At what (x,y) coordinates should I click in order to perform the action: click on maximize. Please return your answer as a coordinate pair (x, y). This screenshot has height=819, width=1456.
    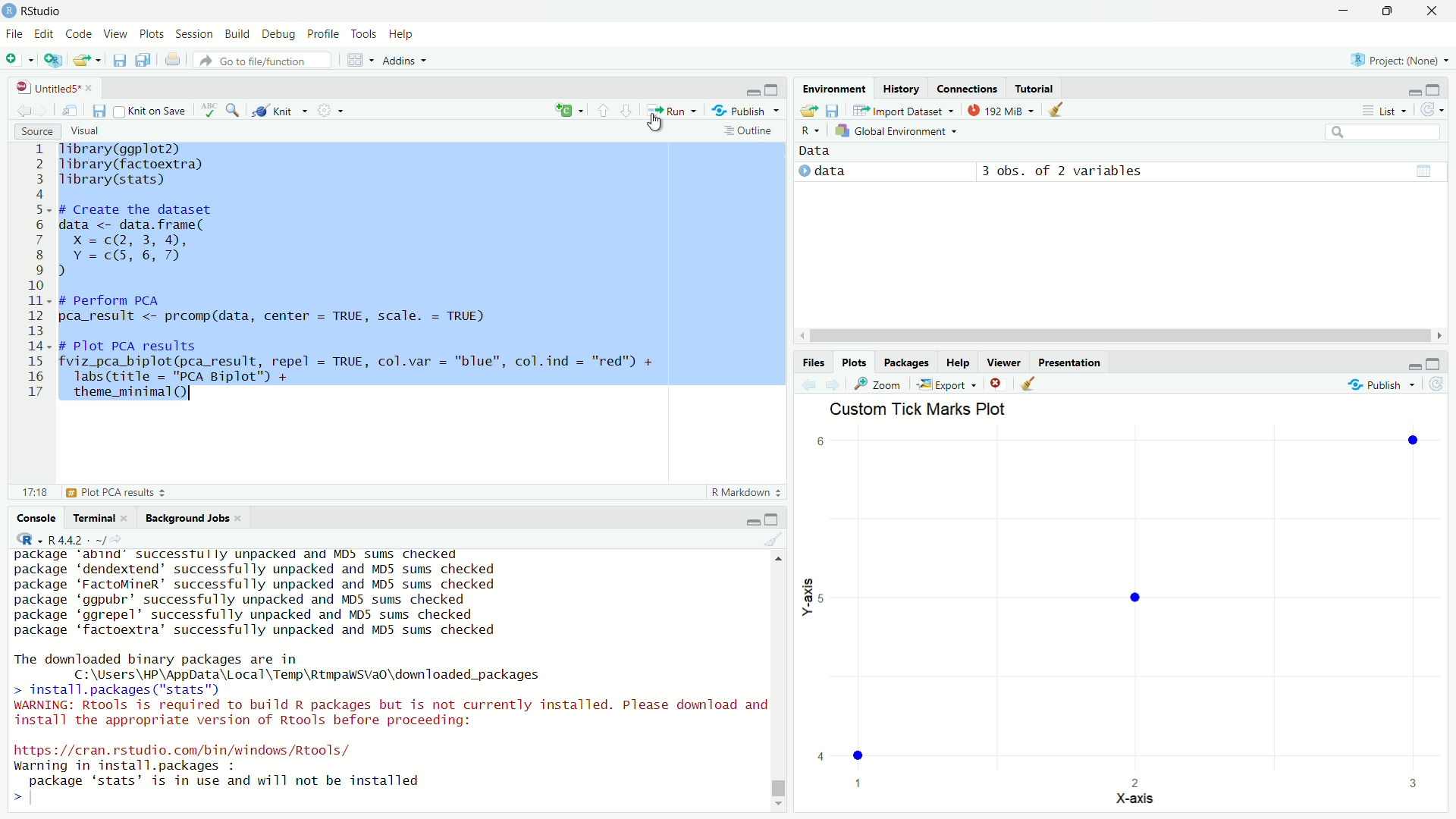
    Looking at the image, I should click on (774, 519).